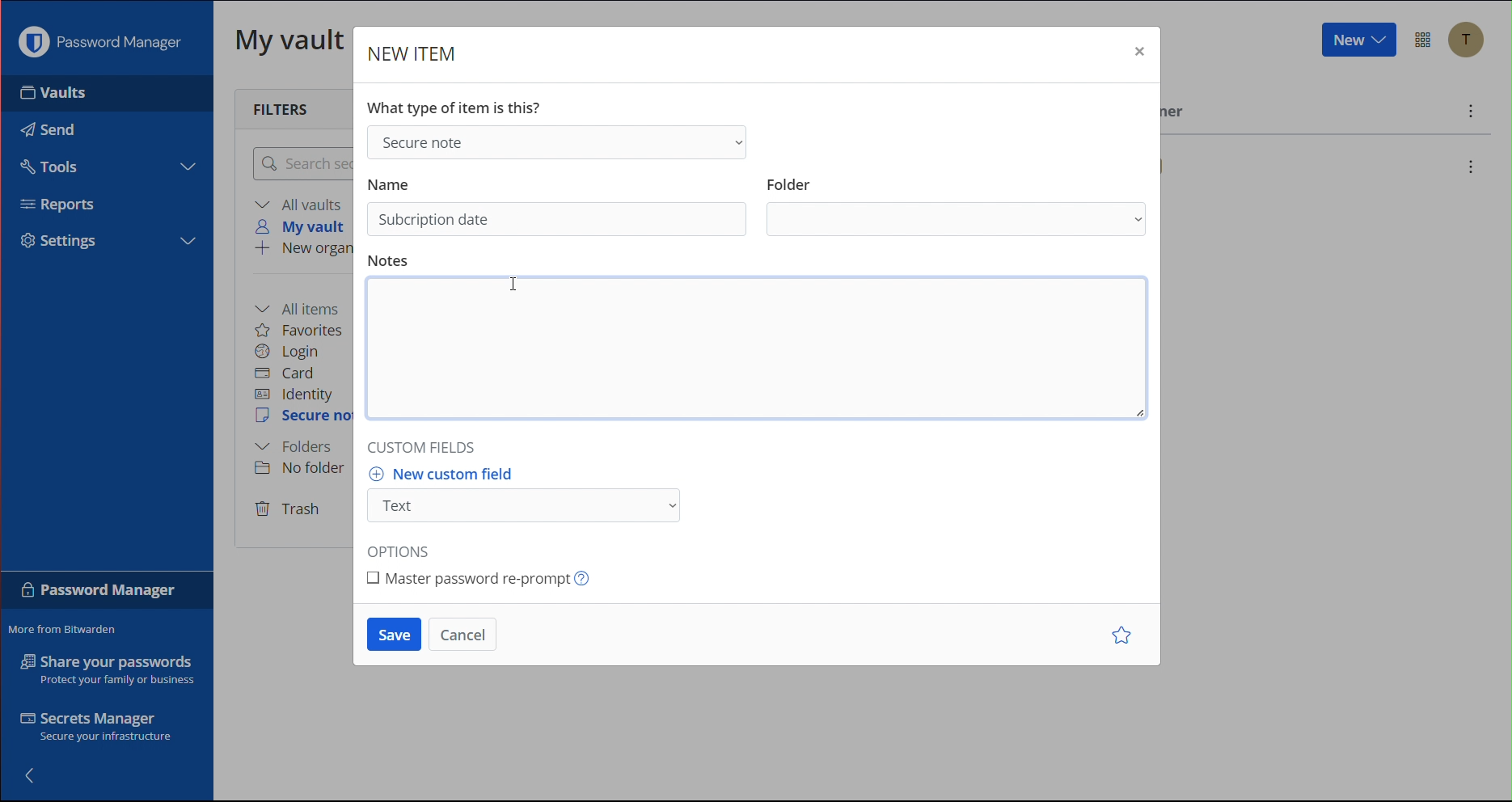  Describe the element at coordinates (304, 416) in the screenshot. I see `Secure Note` at that location.